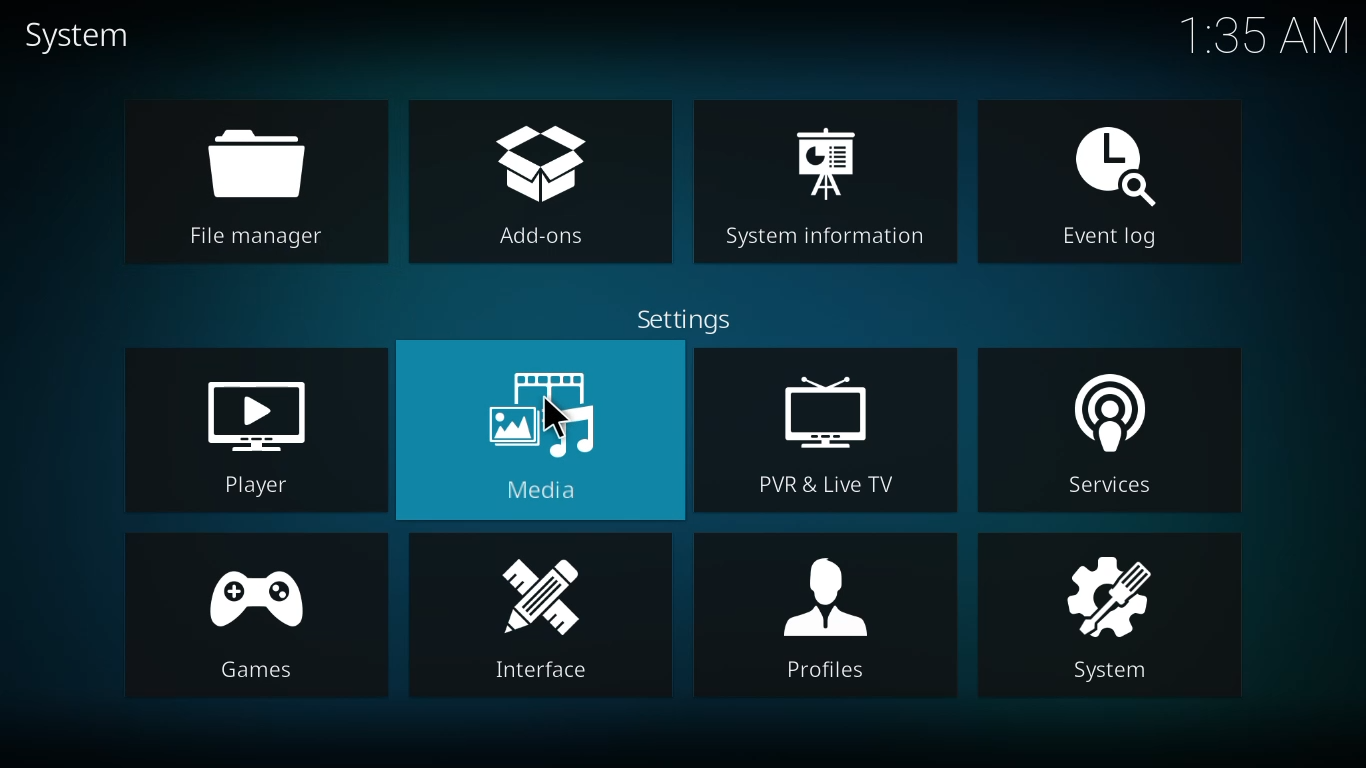  I want to click on media, so click(545, 424).